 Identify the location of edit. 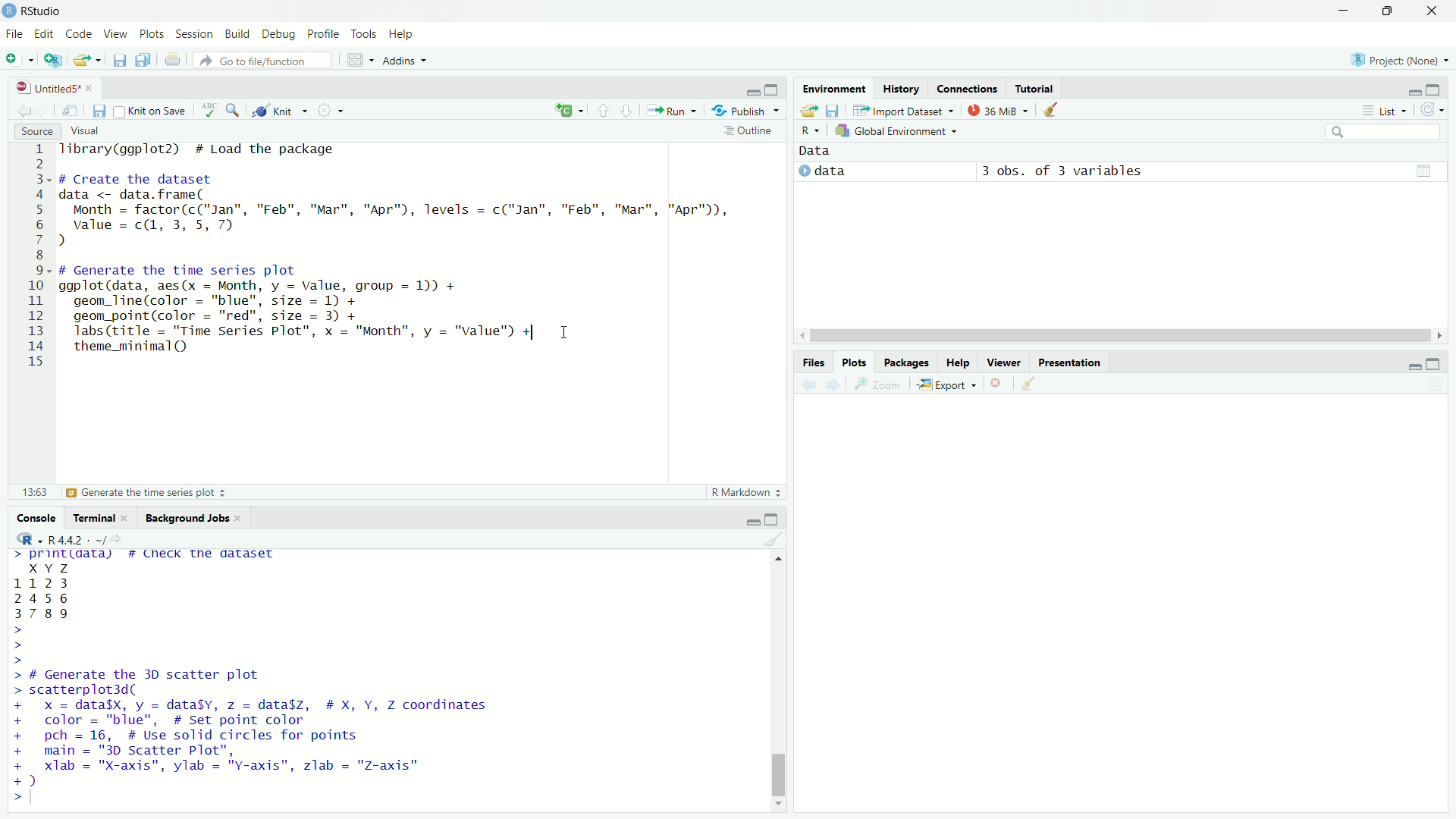
(42, 35).